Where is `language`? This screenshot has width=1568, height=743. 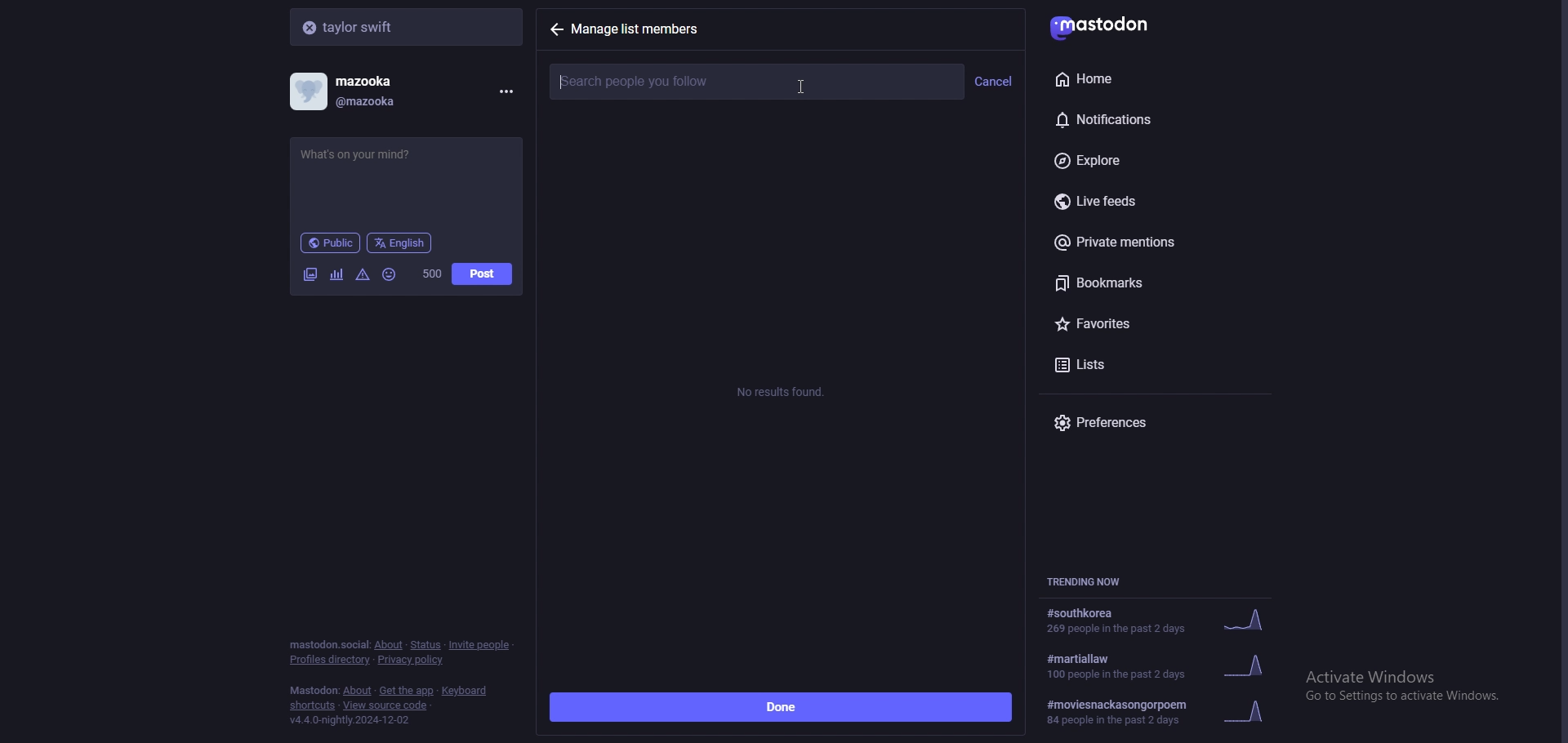
language is located at coordinates (400, 242).